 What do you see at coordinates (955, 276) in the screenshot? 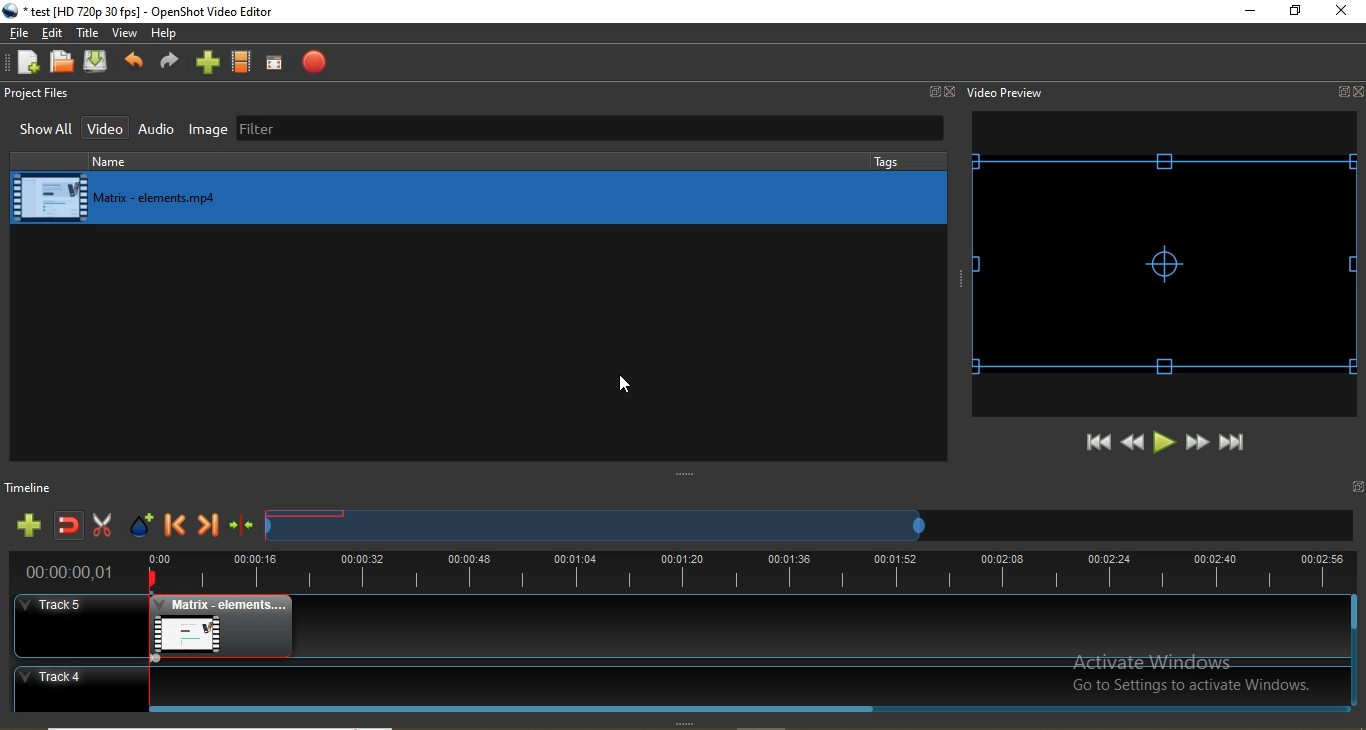
I see `adjust window` at bounding box center [955, 276].